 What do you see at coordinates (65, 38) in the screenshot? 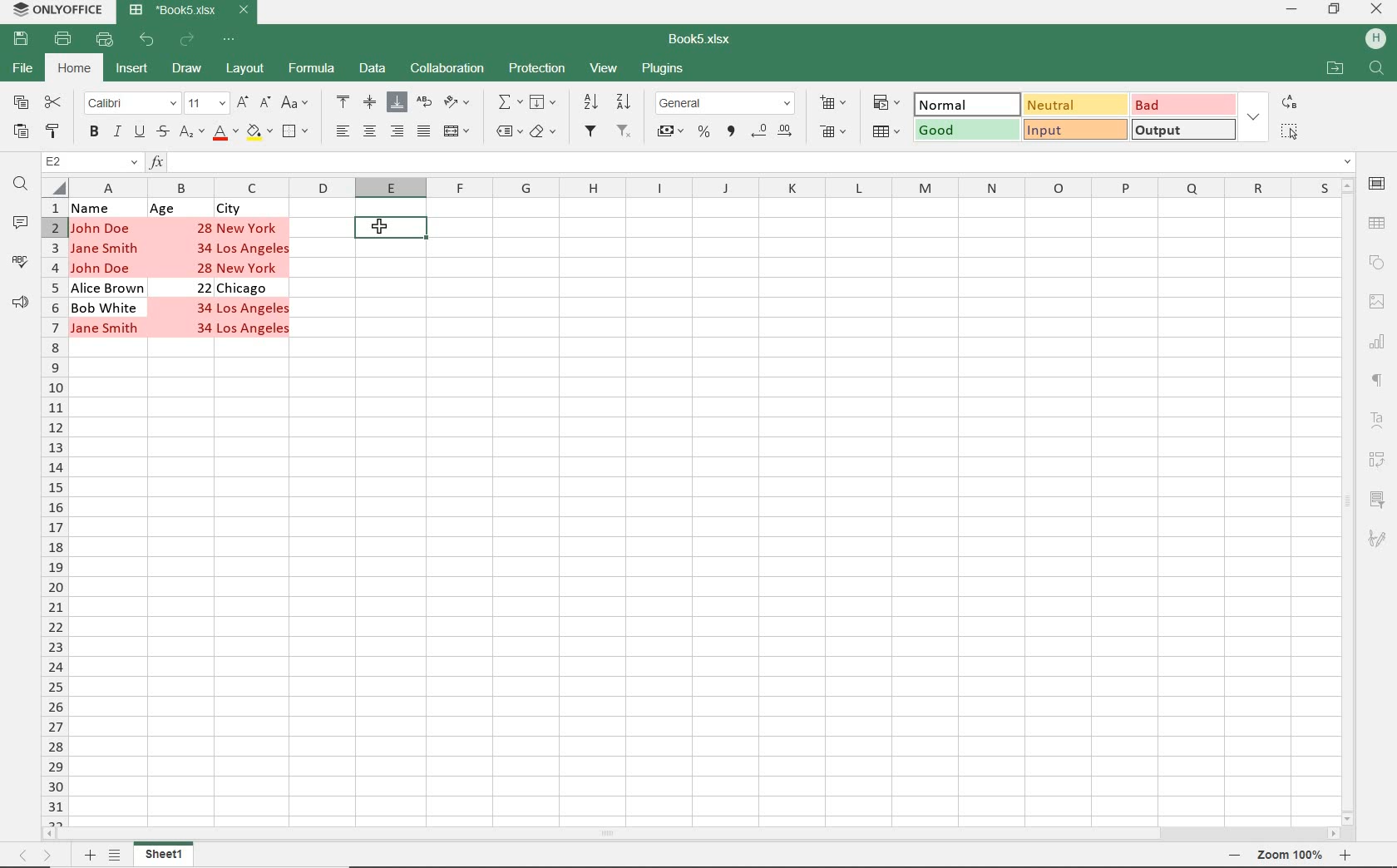
I see `PRINT` at bounding box center [65, 38].